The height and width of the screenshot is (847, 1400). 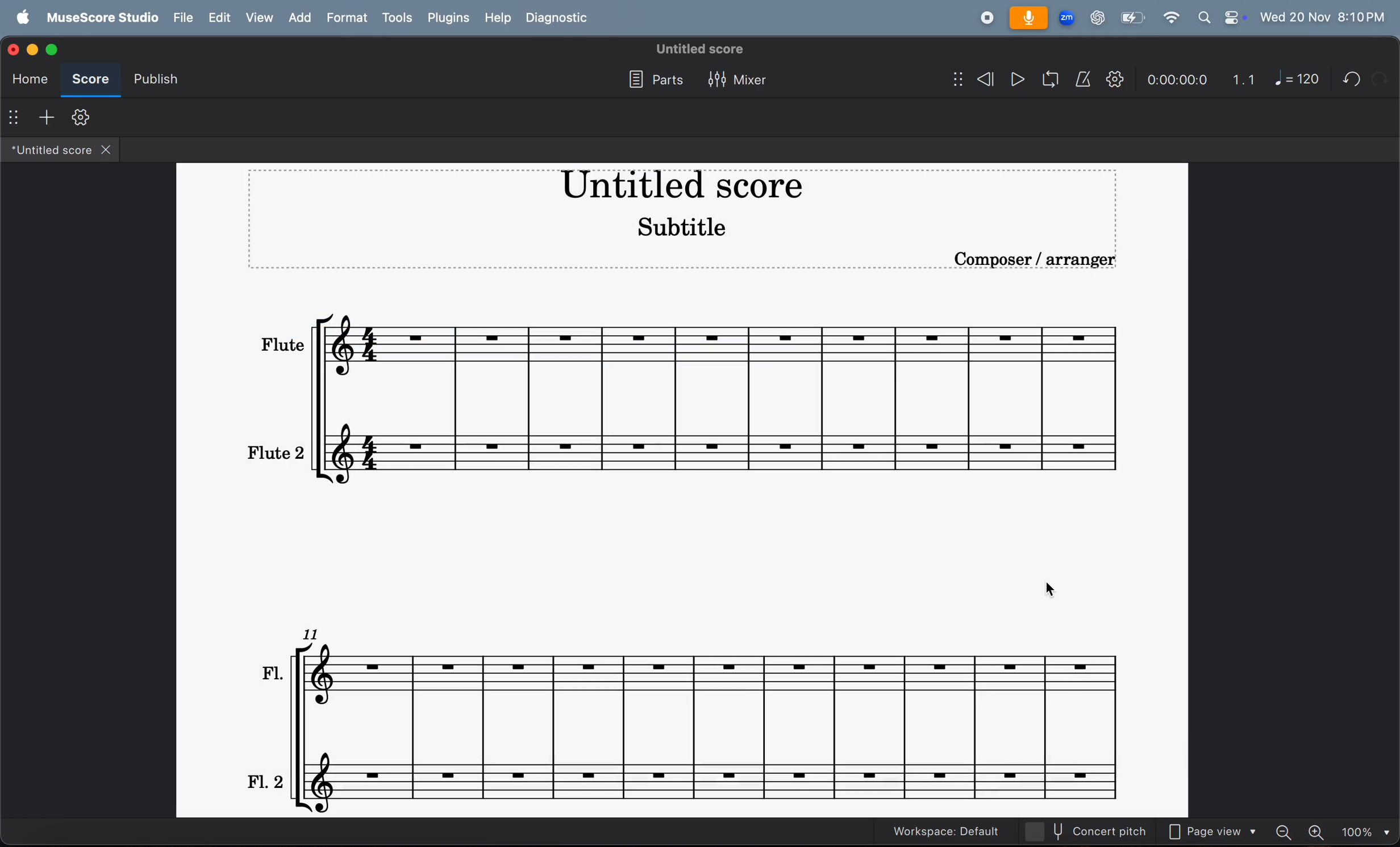 What do you see at coordinates (559, 21) in the screenshot?
I see `diagnostic` at bounding box center [559, 21].